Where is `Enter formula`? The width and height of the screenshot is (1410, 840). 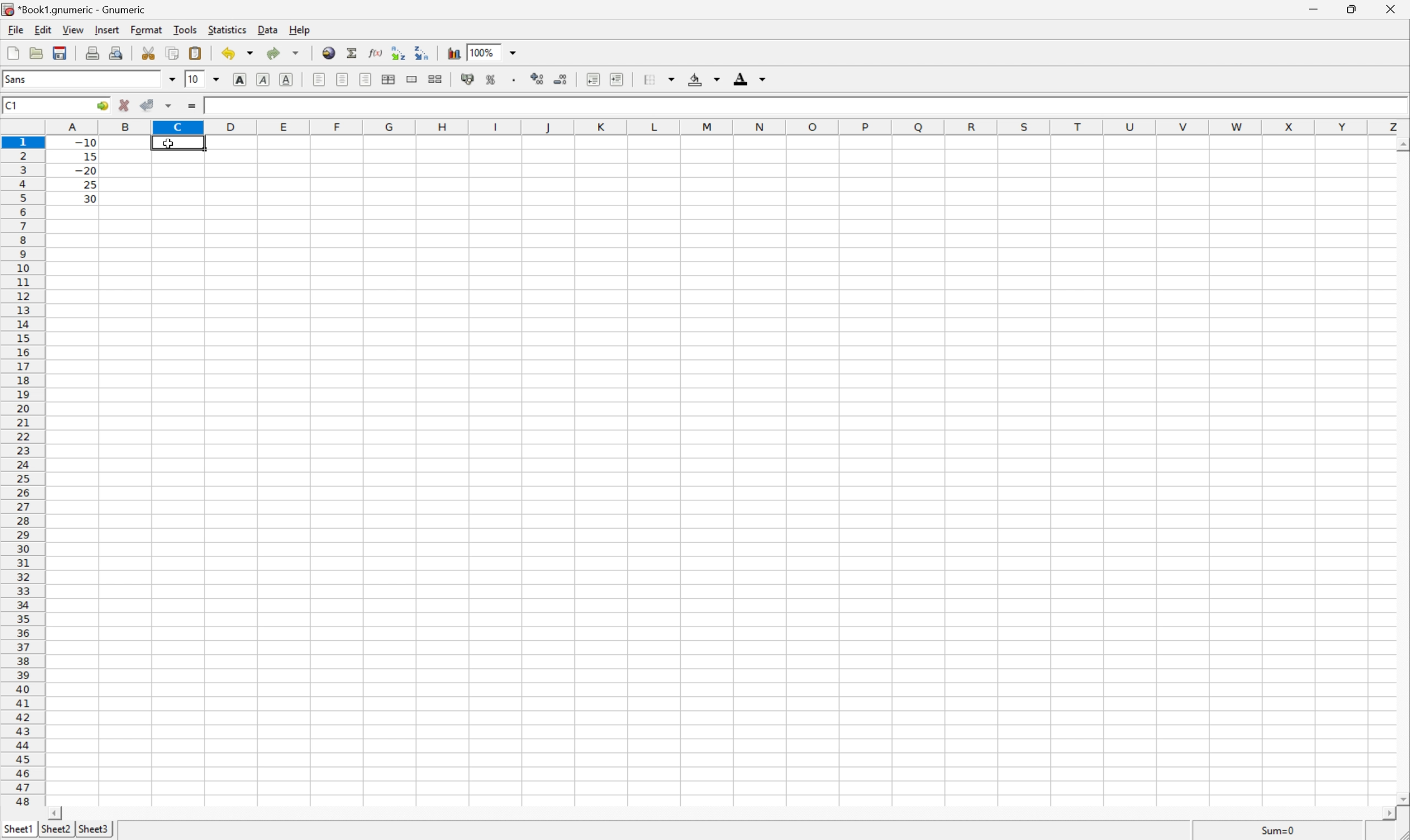 Enter formula is located at coordinates (194, 107).